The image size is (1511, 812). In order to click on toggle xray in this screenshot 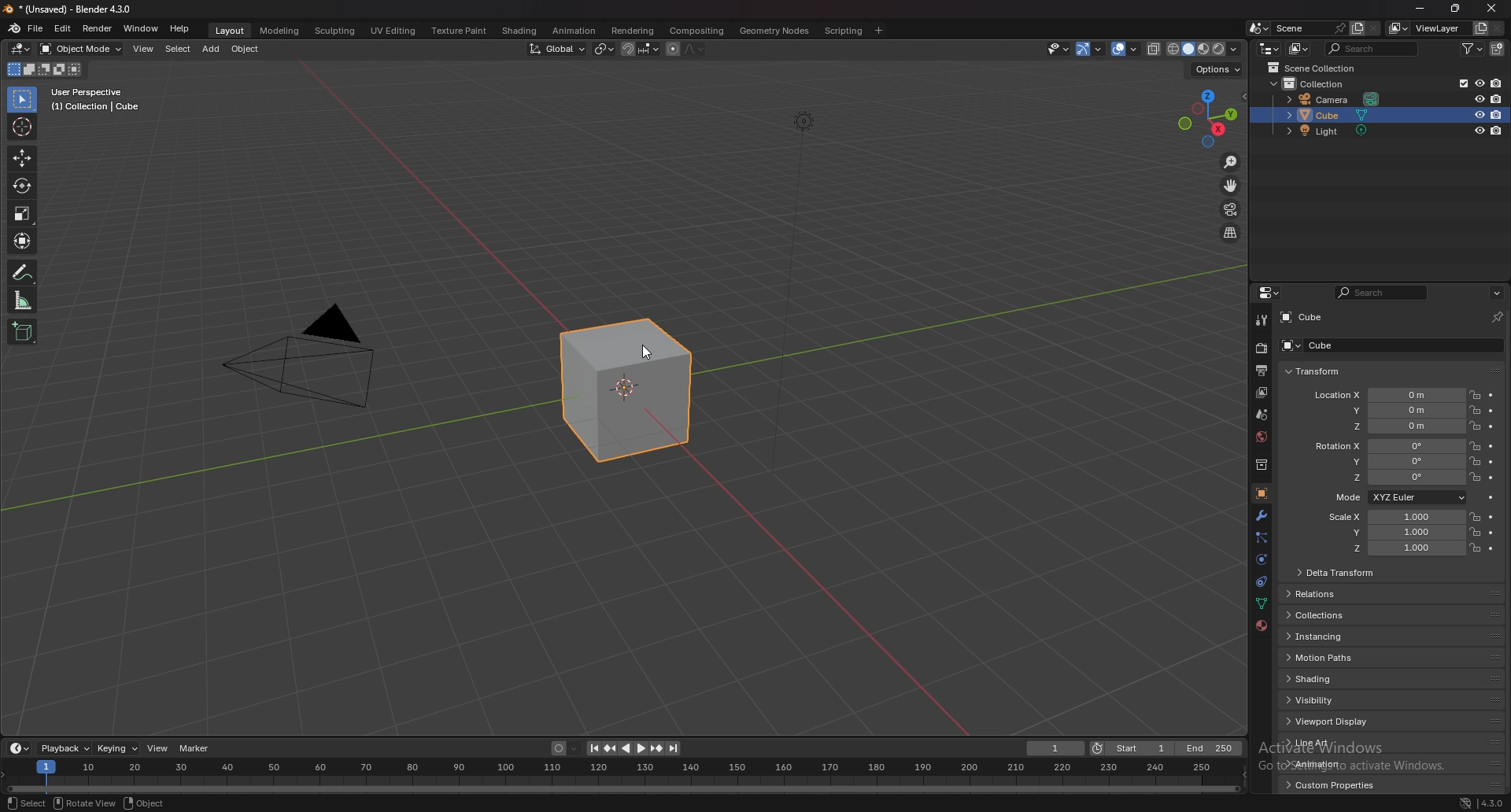, I will do `click(1155, 50)`.